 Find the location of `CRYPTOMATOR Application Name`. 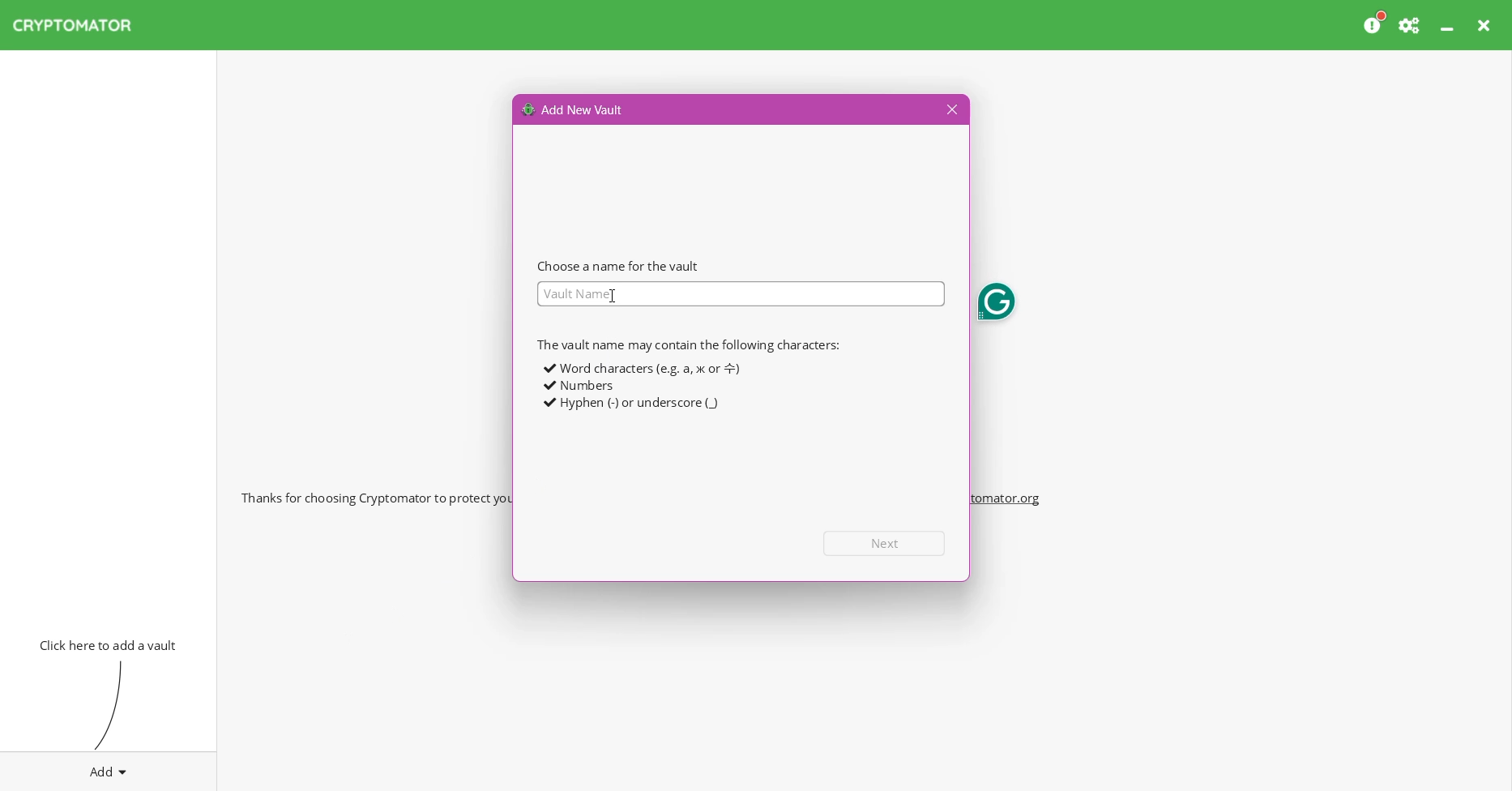

CRYPTOMATOR Application Name is located at coordinates (80, 25).